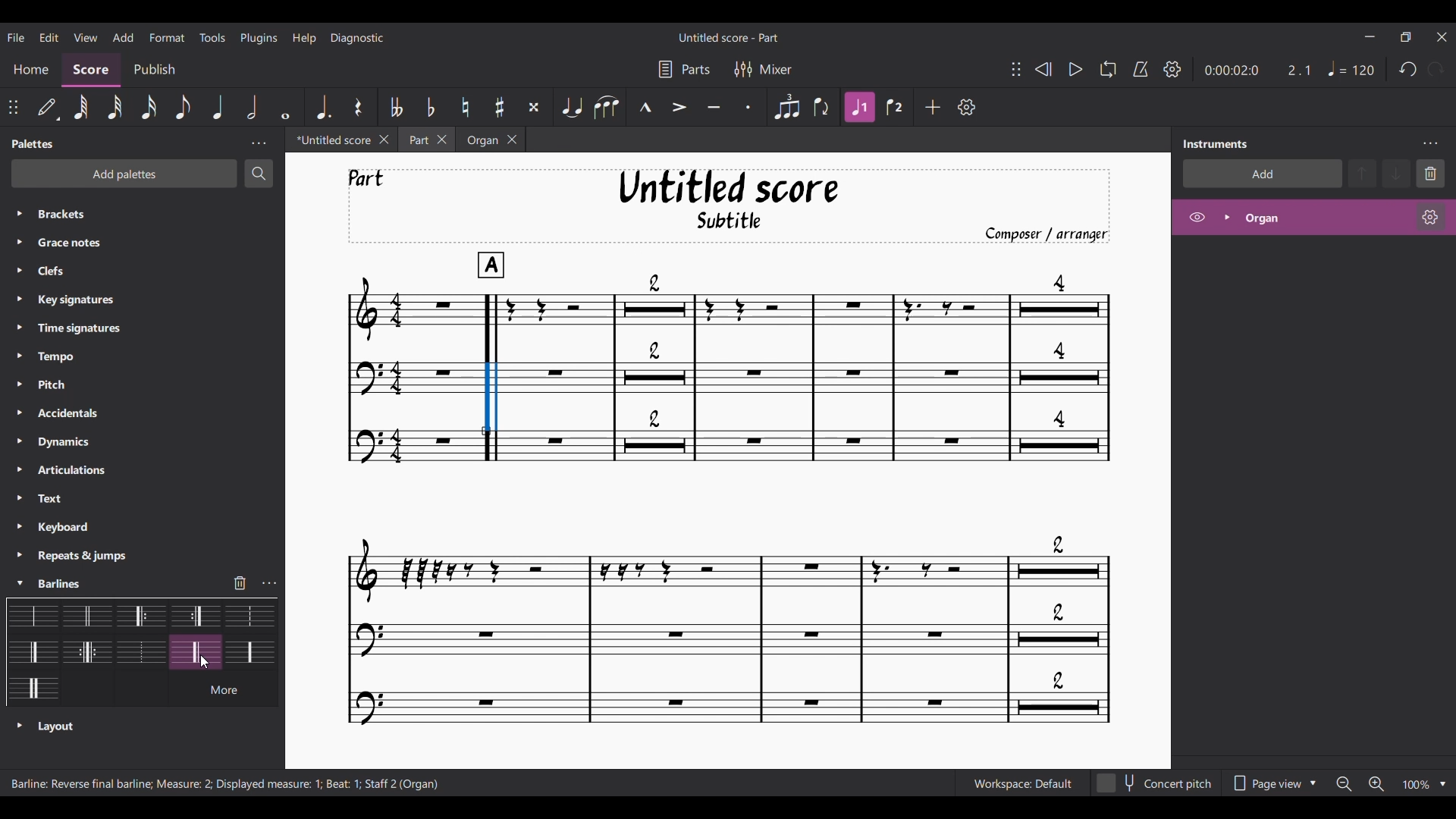 The image size is (1456, 819). I want to click on Cursor selection highlighted, so click(20, 584).